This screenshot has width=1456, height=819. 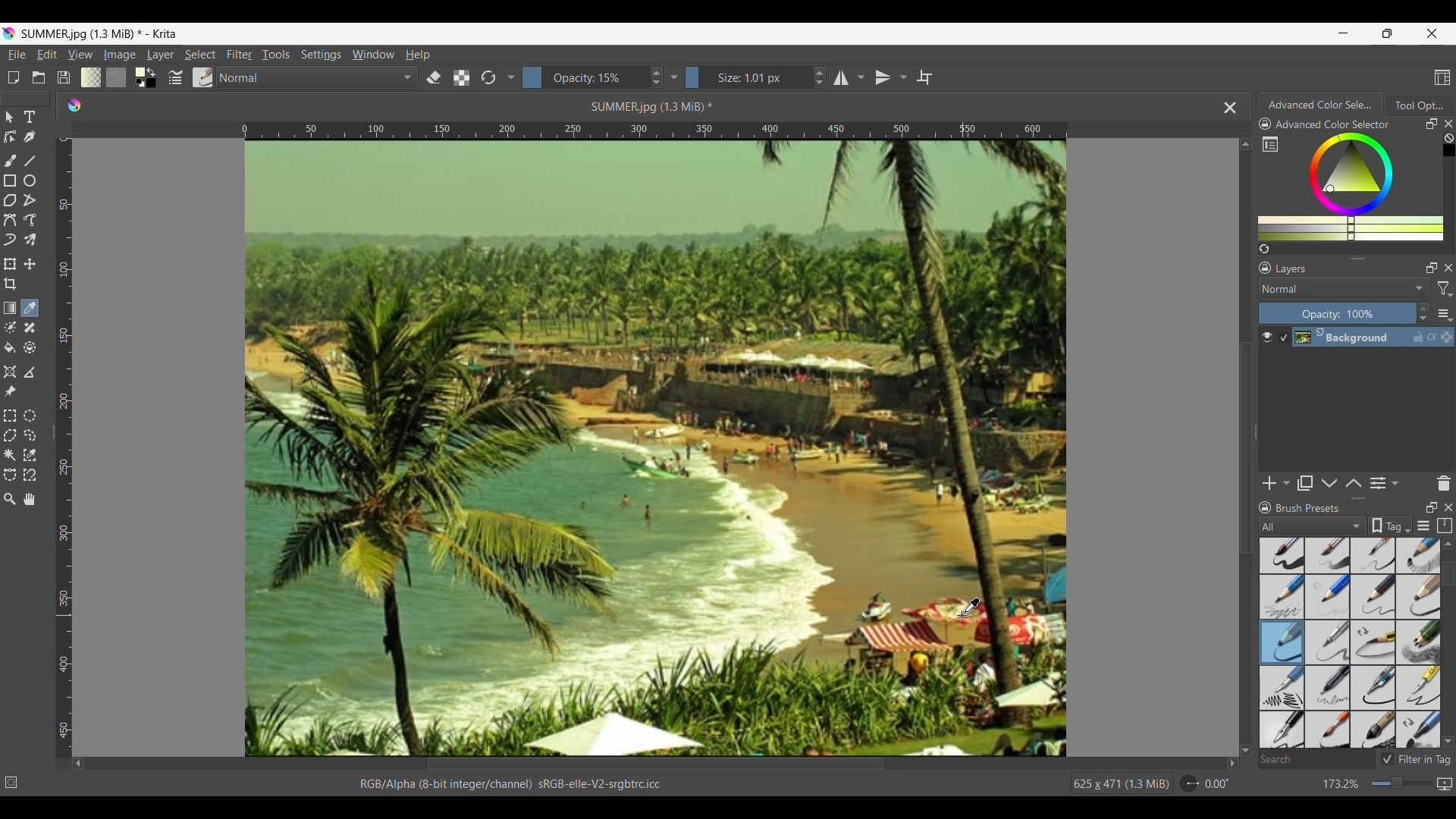 I want to click on Layer property settings, so click(x=1394, y=482).